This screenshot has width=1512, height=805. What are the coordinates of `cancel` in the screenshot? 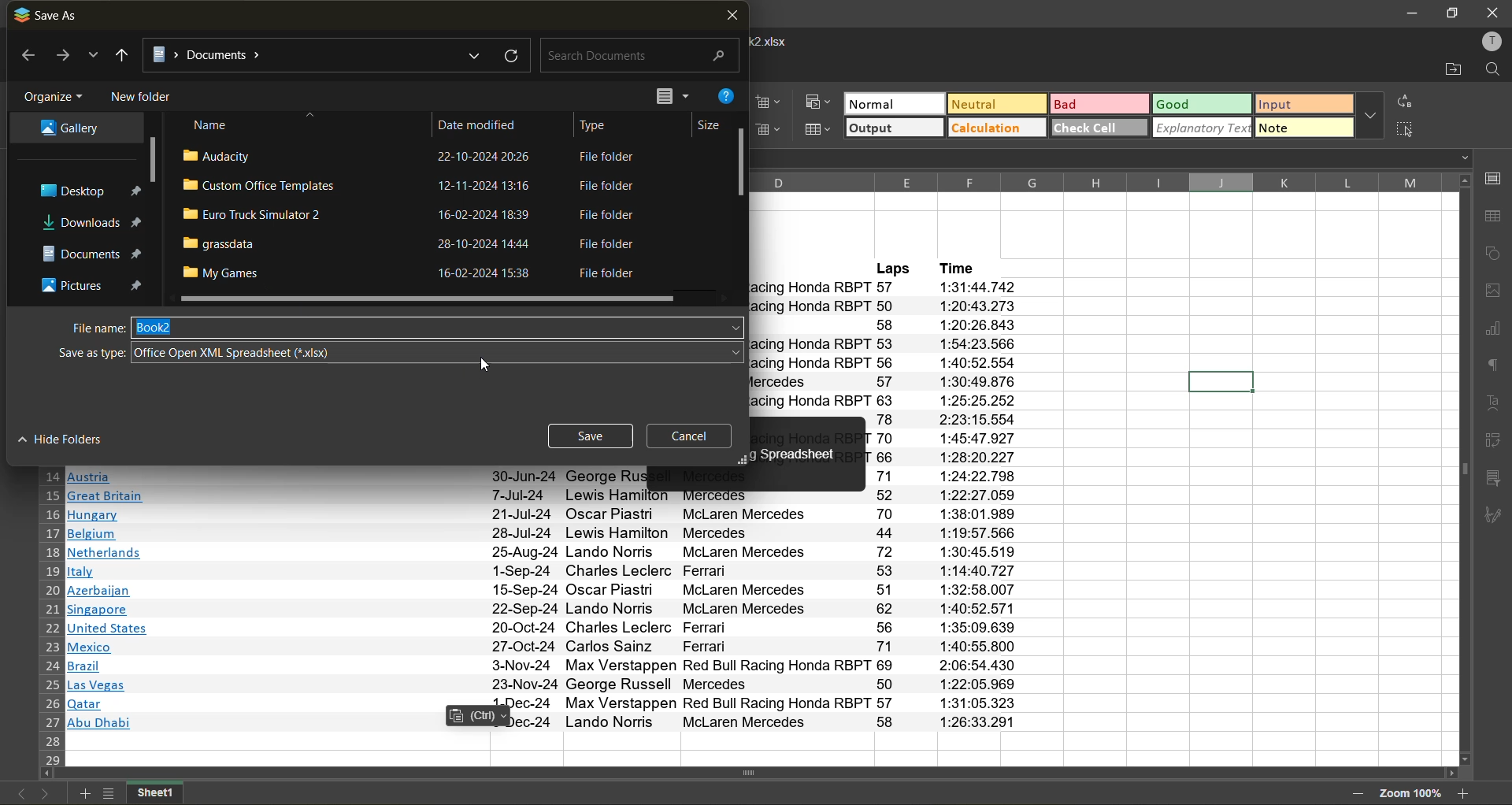 It's located at (696, 436).